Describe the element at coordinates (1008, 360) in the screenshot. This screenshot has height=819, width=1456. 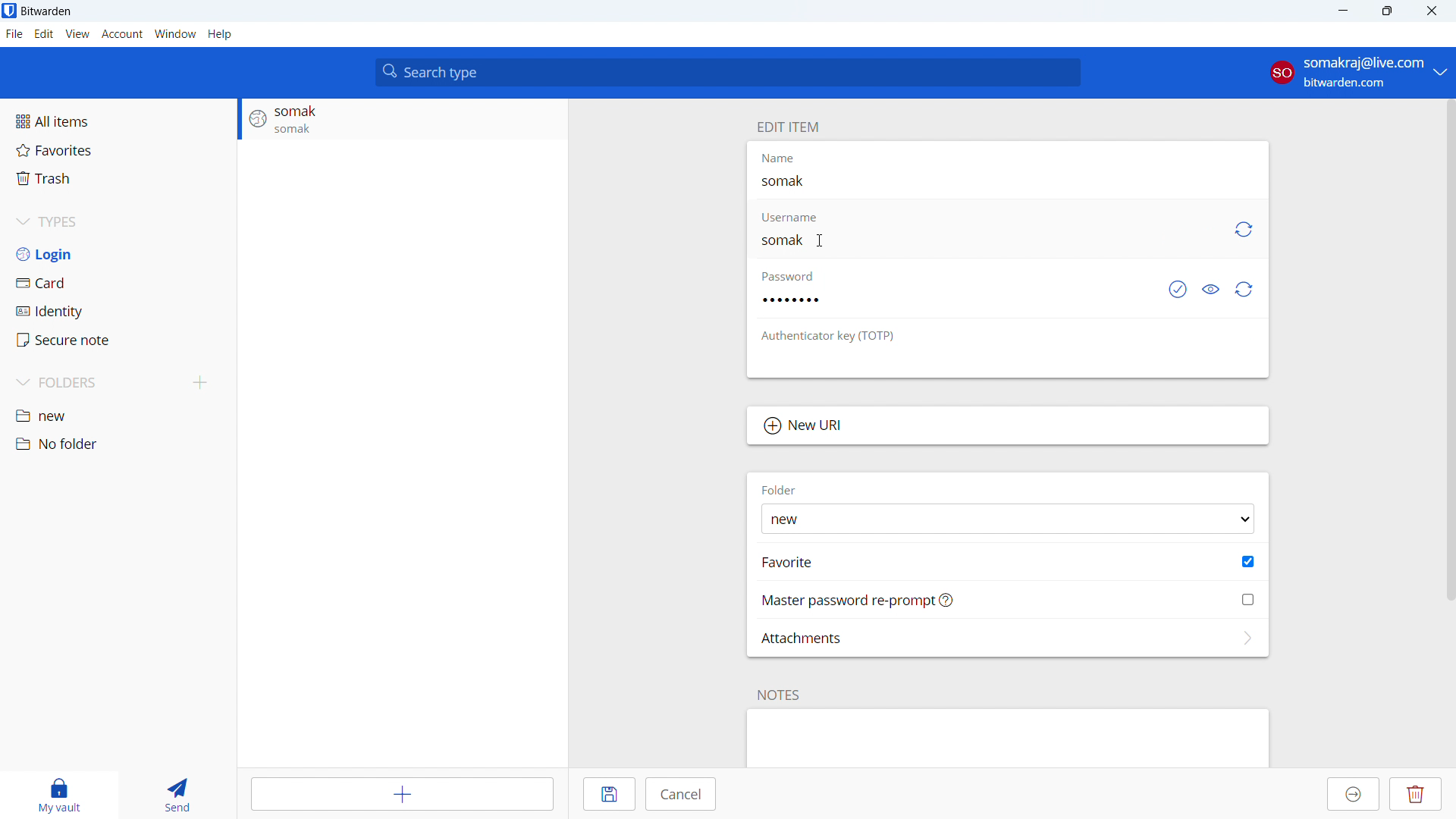
I see `edit authenticator key` at that location.